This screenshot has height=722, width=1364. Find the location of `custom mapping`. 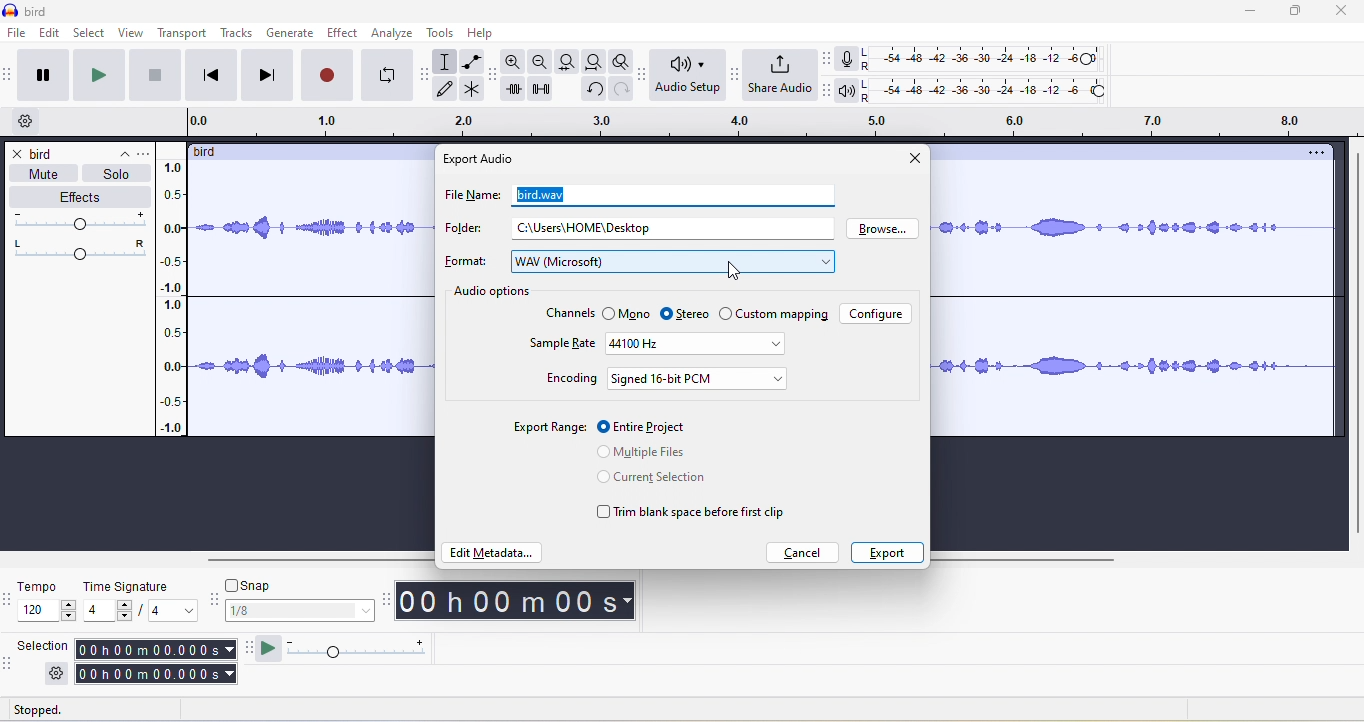

custom mapping is located at coordinates (778, 316).